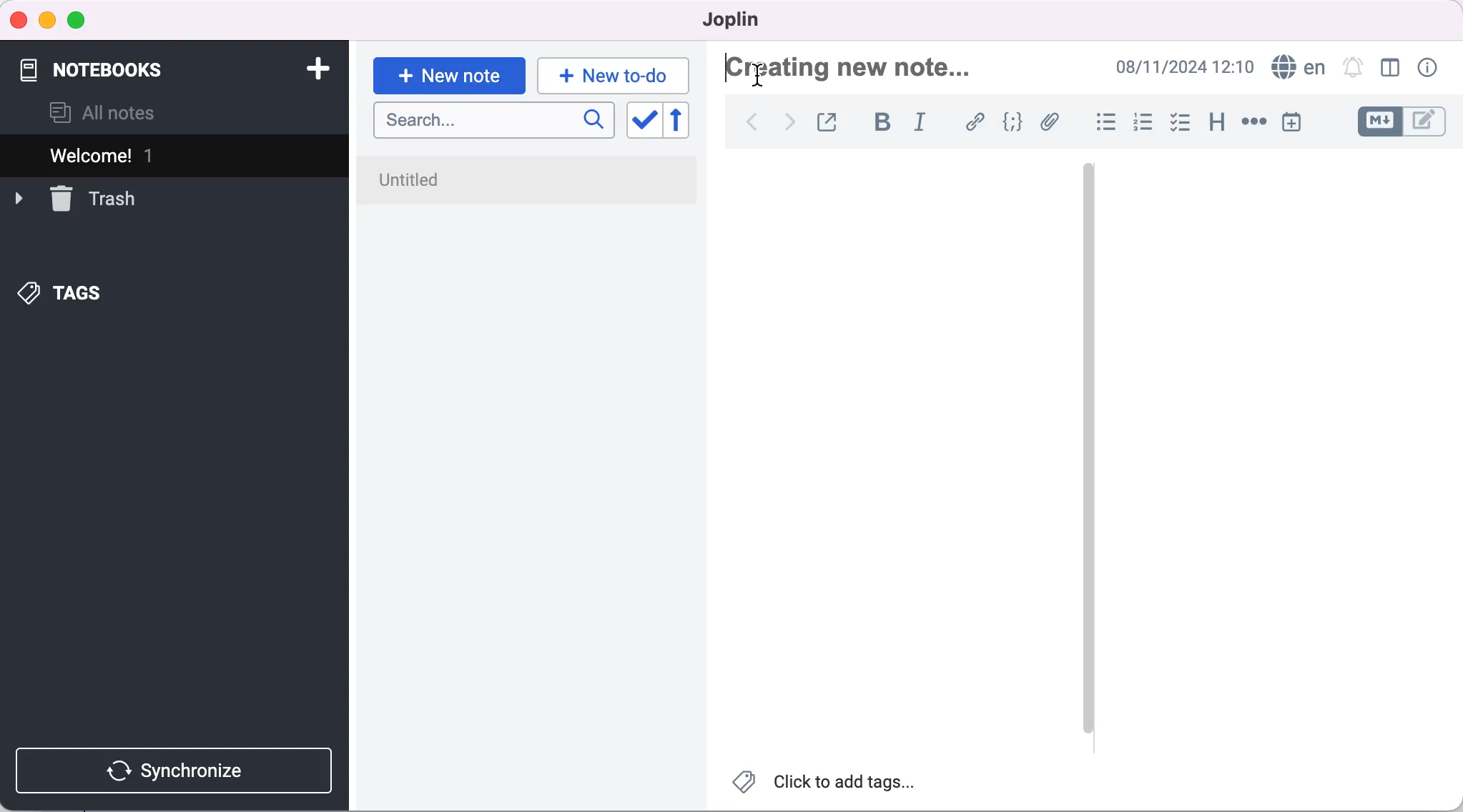  Describe the element at coordinates (526, 180) in the screenshot. I see `untitled note` at that location.